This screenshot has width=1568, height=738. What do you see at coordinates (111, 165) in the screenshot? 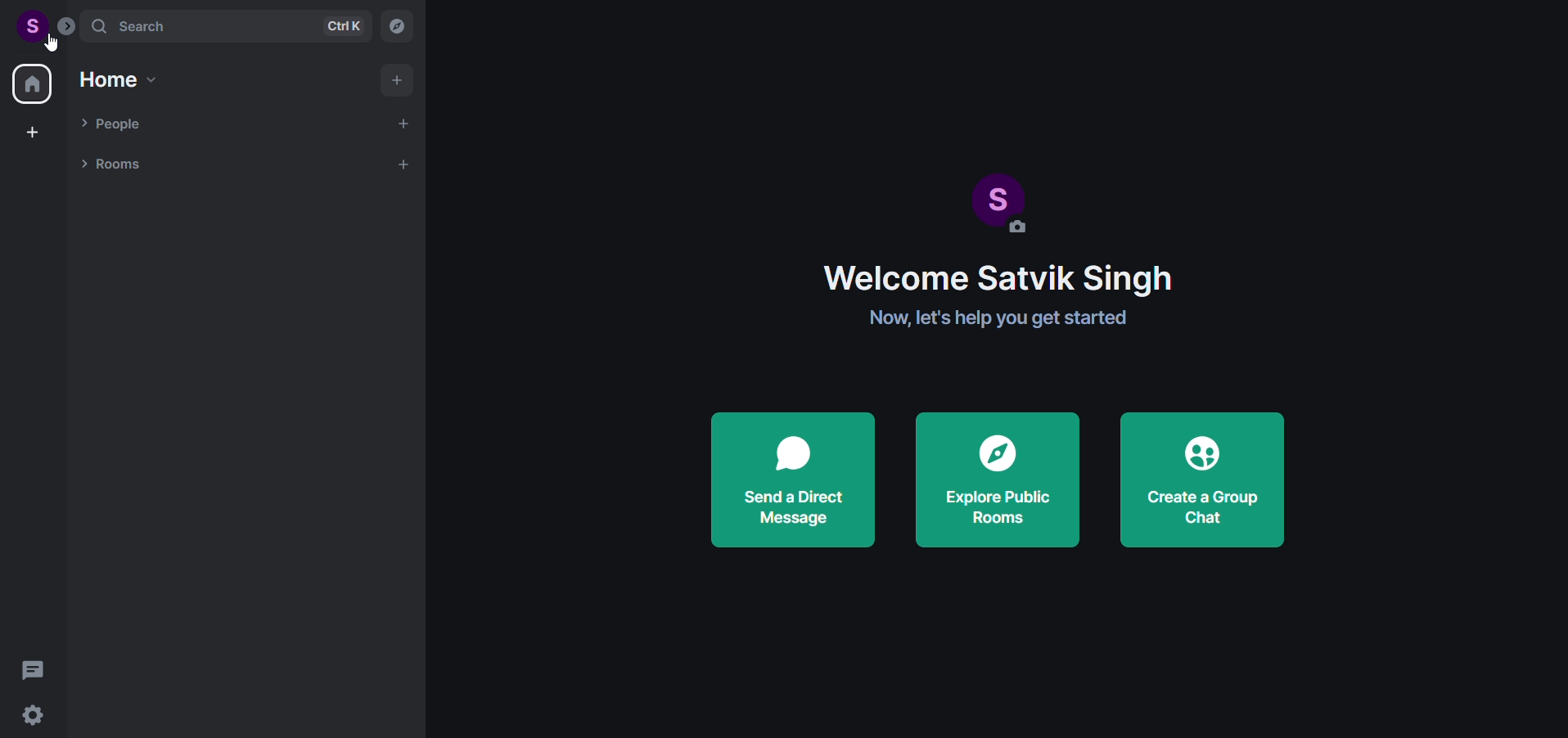
I see `rooms` at bounding box center [111, 165].